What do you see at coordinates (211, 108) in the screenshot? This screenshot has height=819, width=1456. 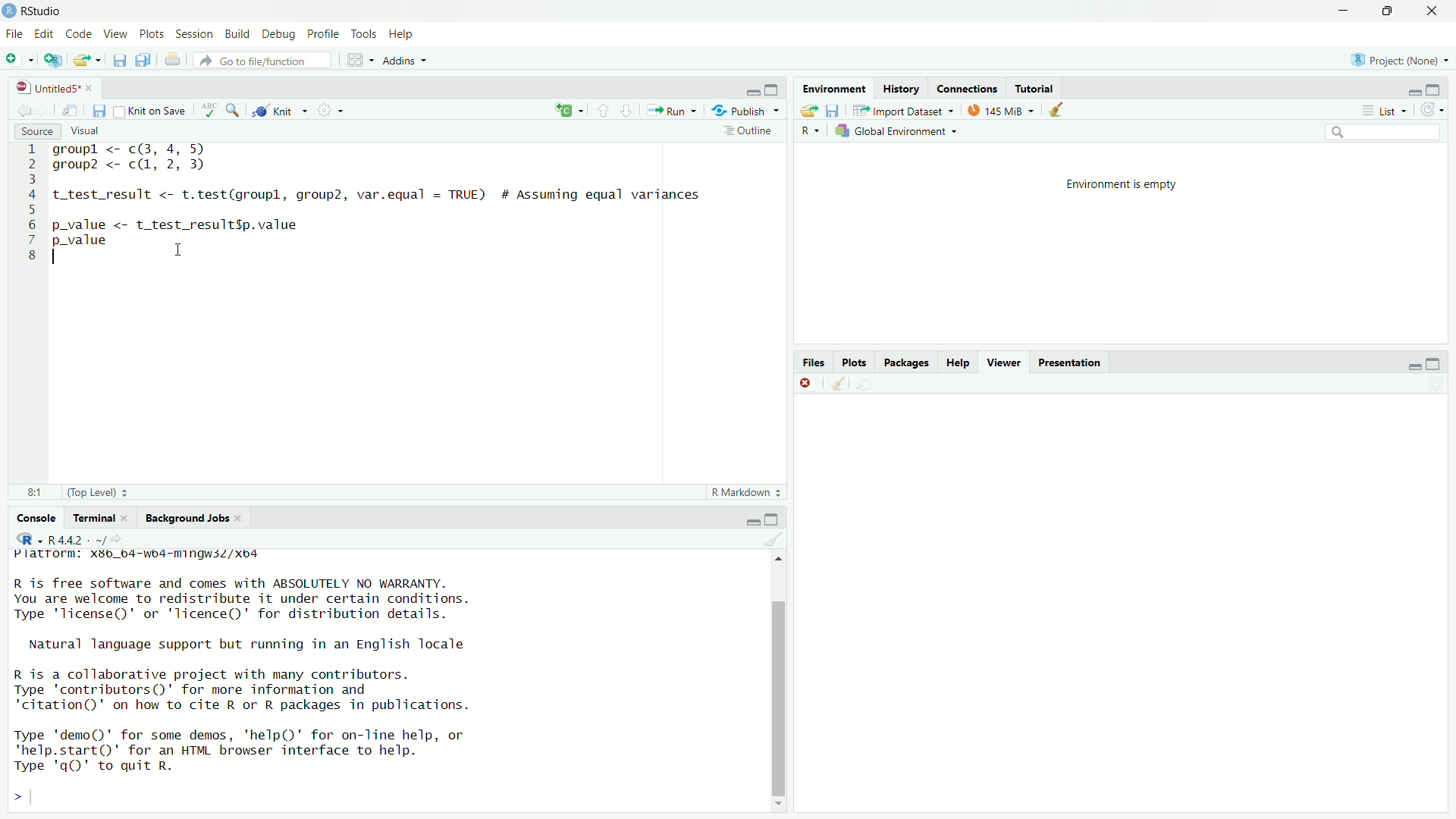 I see `check` at bounding box center [211, 108].